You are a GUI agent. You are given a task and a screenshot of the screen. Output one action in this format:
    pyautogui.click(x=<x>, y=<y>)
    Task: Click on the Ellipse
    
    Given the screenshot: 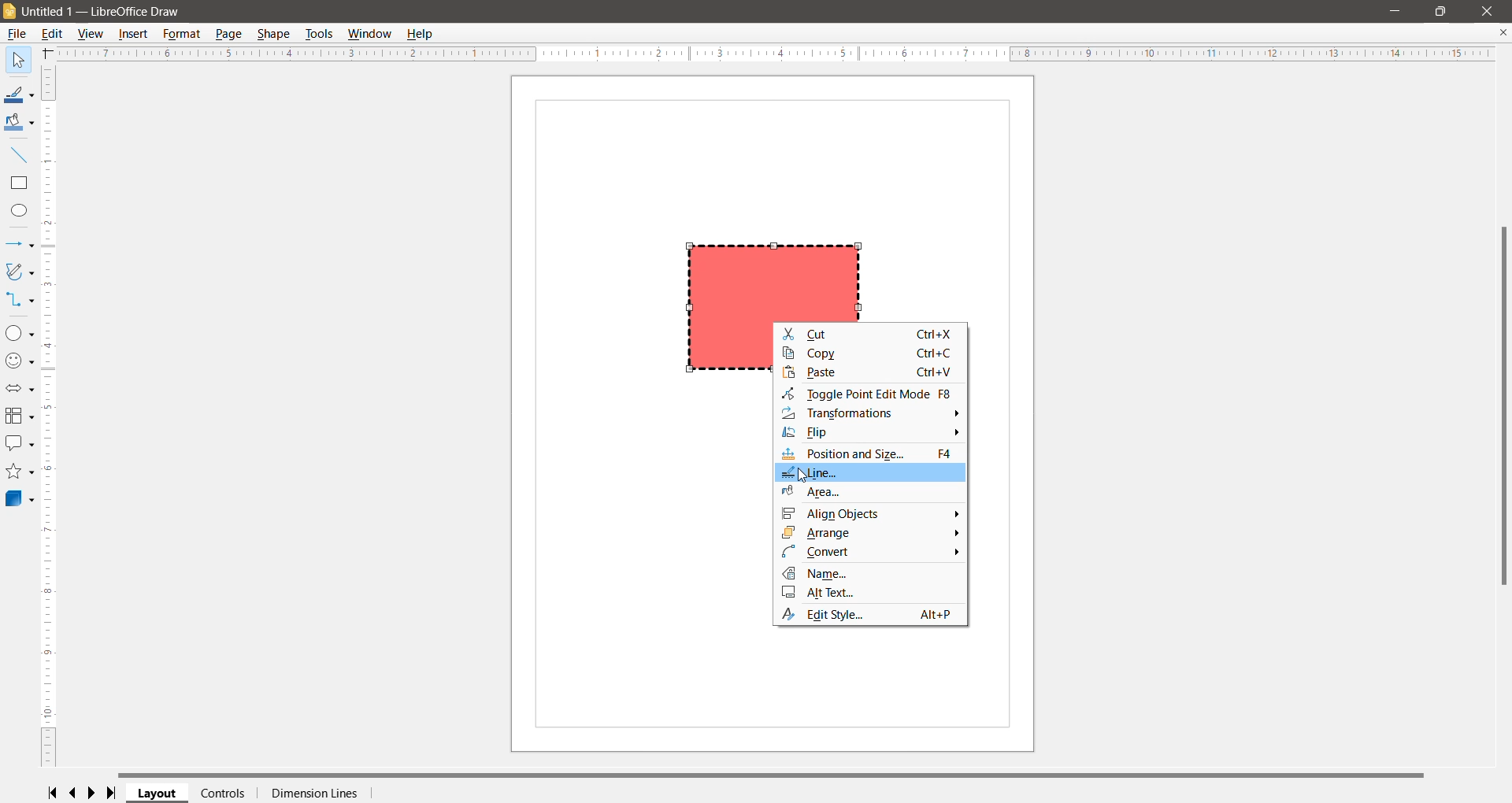 What is the action you would take?
    pyautogui.click(x=19, y=210)
    